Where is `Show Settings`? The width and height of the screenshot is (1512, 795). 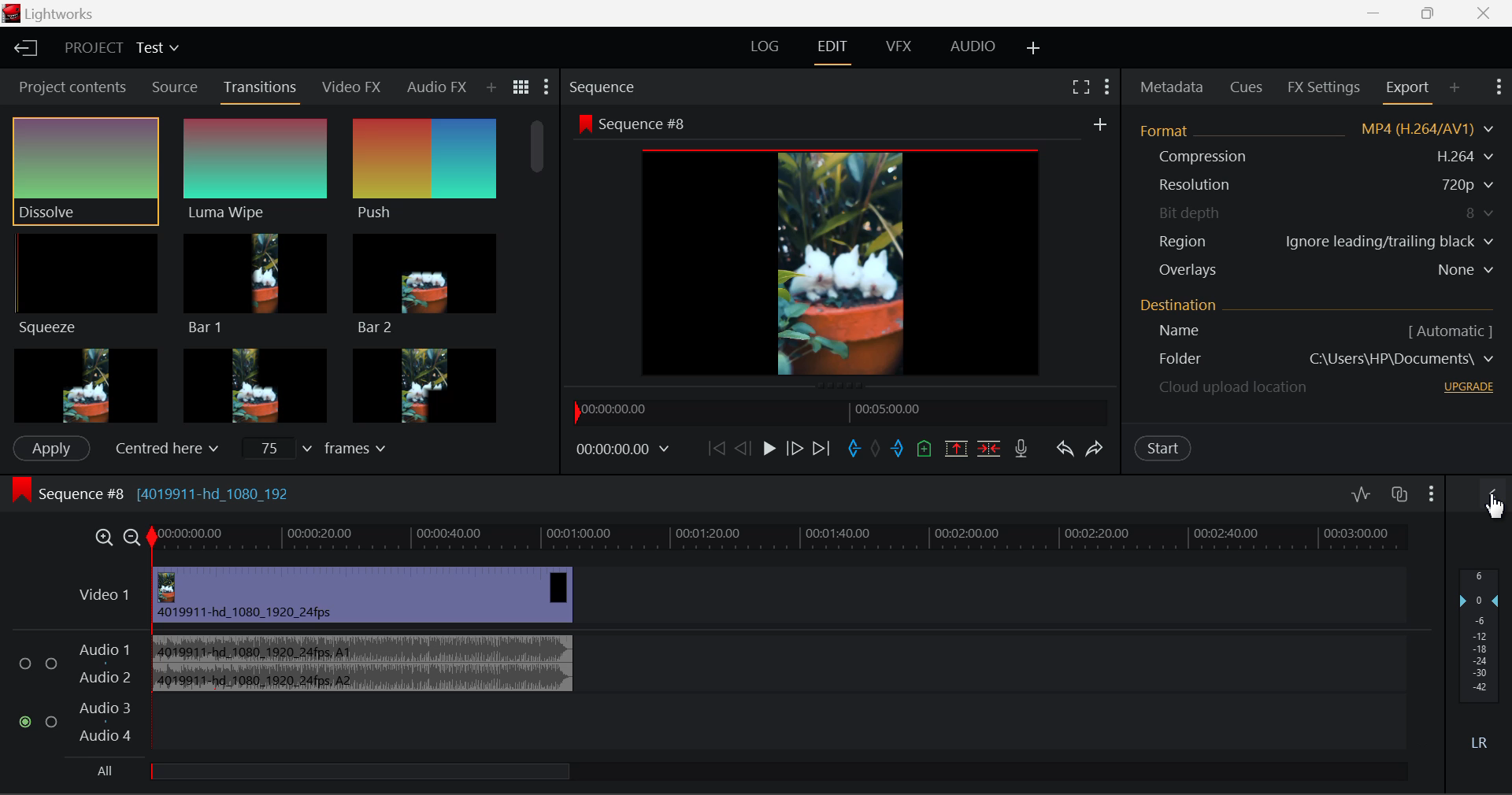
Show Settings is located at coordinates (1499, 87).